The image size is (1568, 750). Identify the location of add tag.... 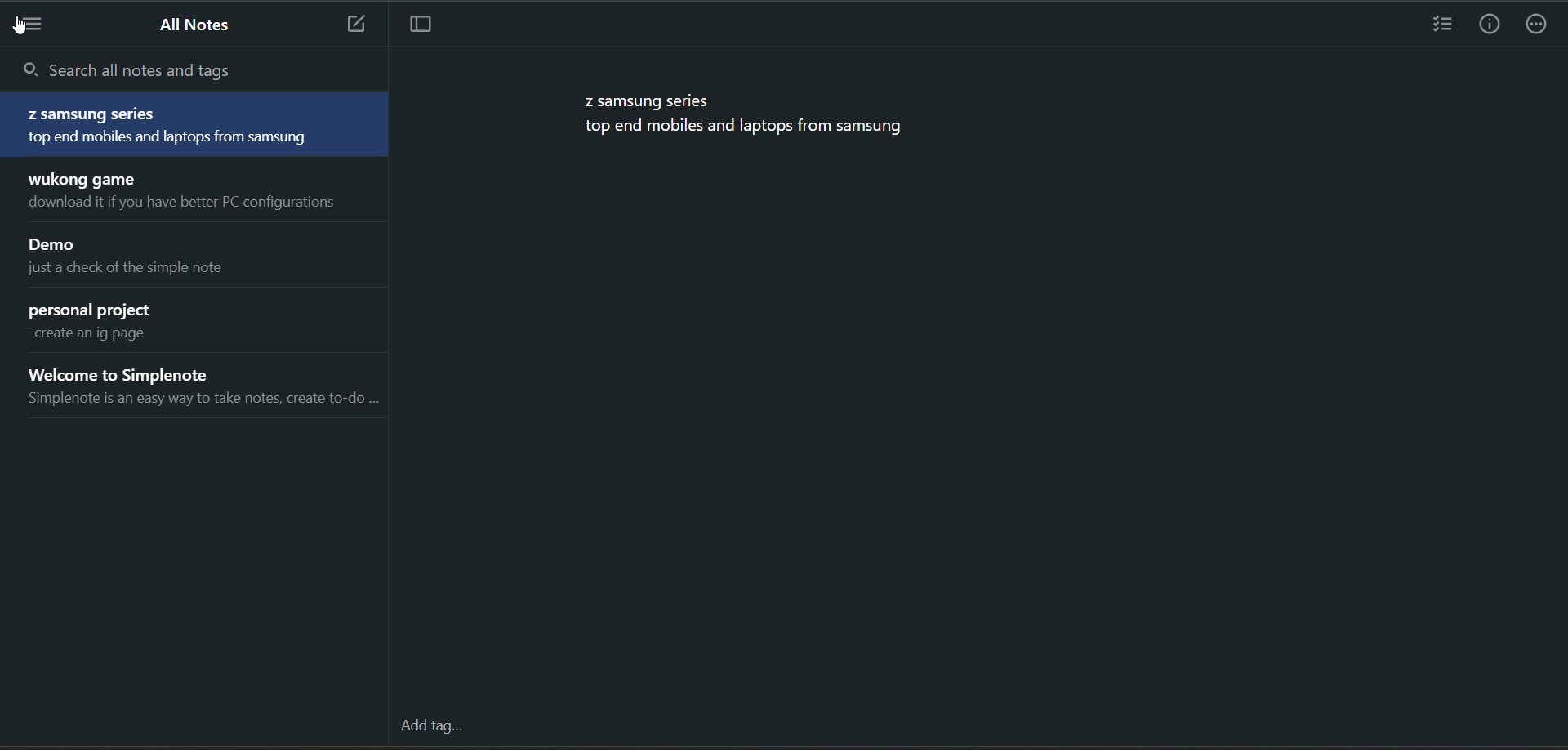
(431, 726).